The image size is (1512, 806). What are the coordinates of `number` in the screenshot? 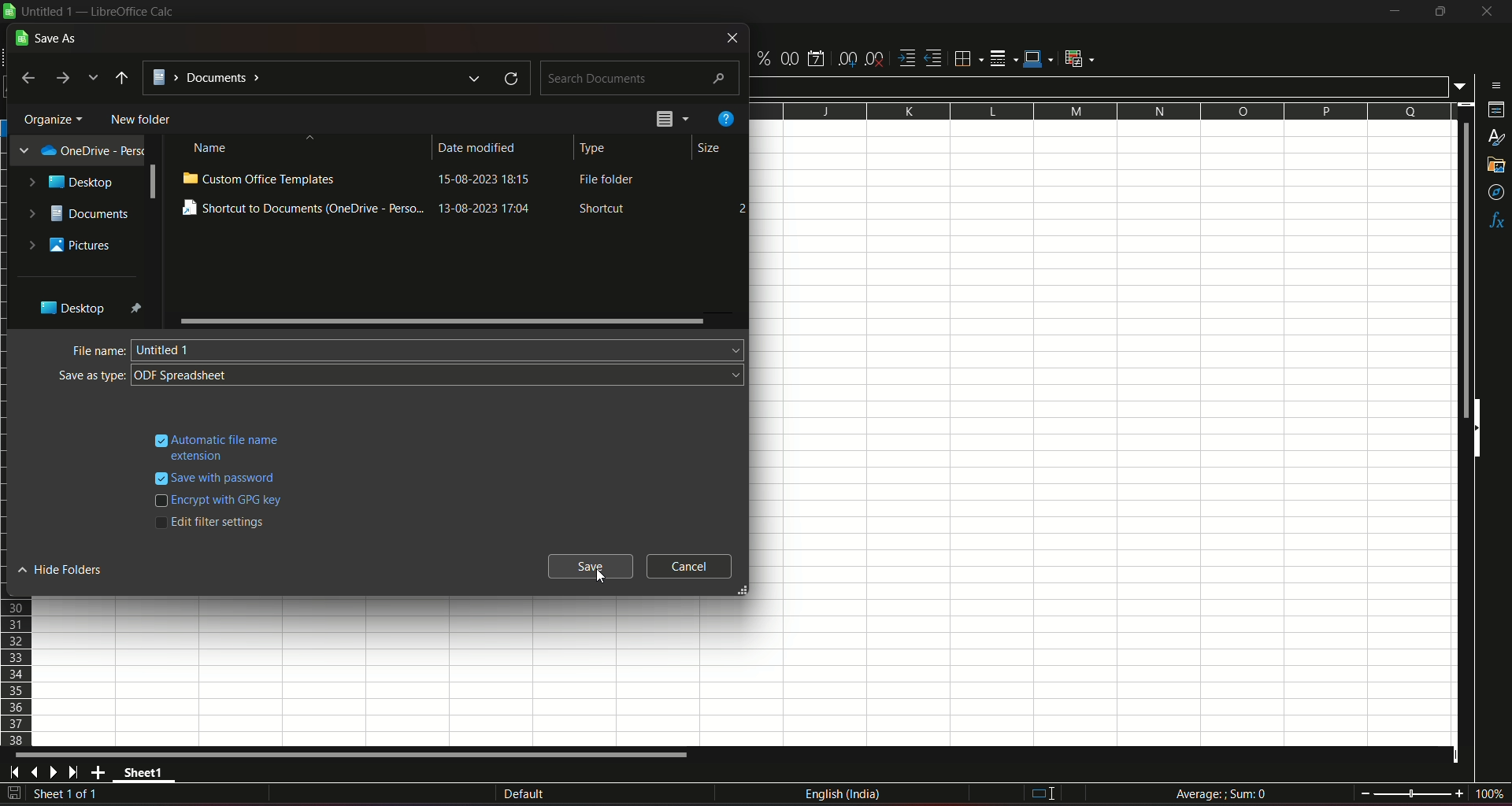 It's located at (739, 207).